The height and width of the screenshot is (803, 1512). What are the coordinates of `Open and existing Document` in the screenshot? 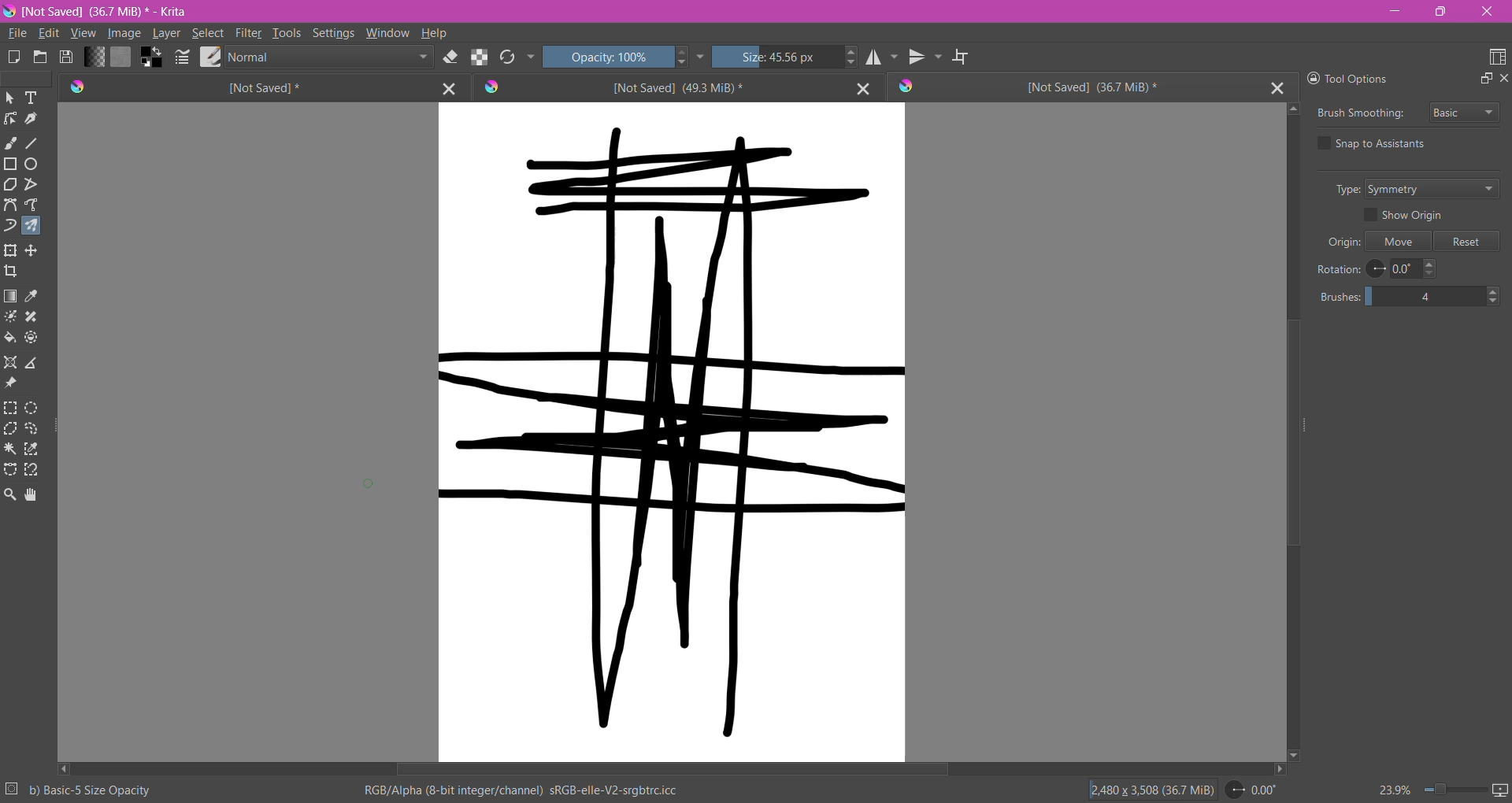 It's located at (40, 57).